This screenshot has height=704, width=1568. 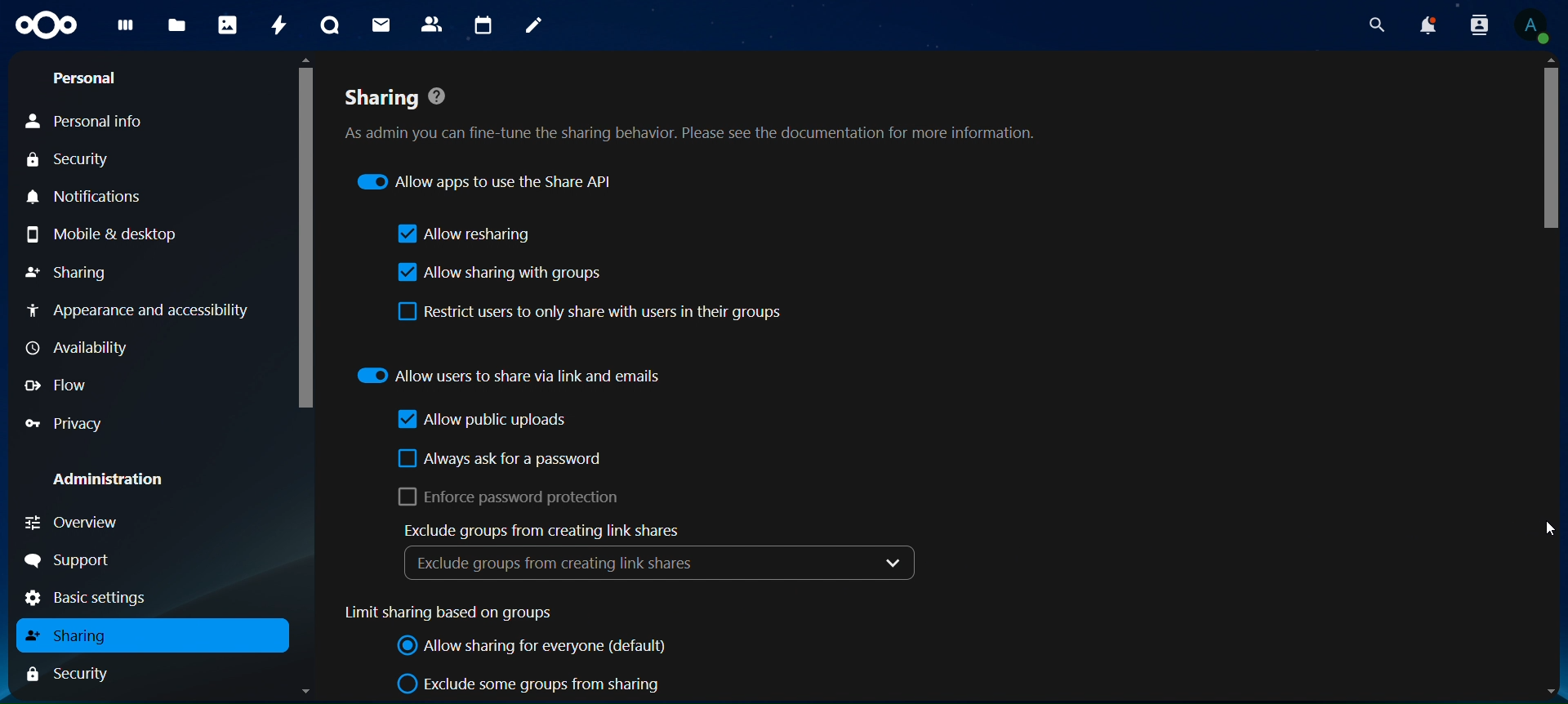 What do you see at coordinates (85, 520) in the screenshot?
I see `overview` at bounding box center [85, 520].